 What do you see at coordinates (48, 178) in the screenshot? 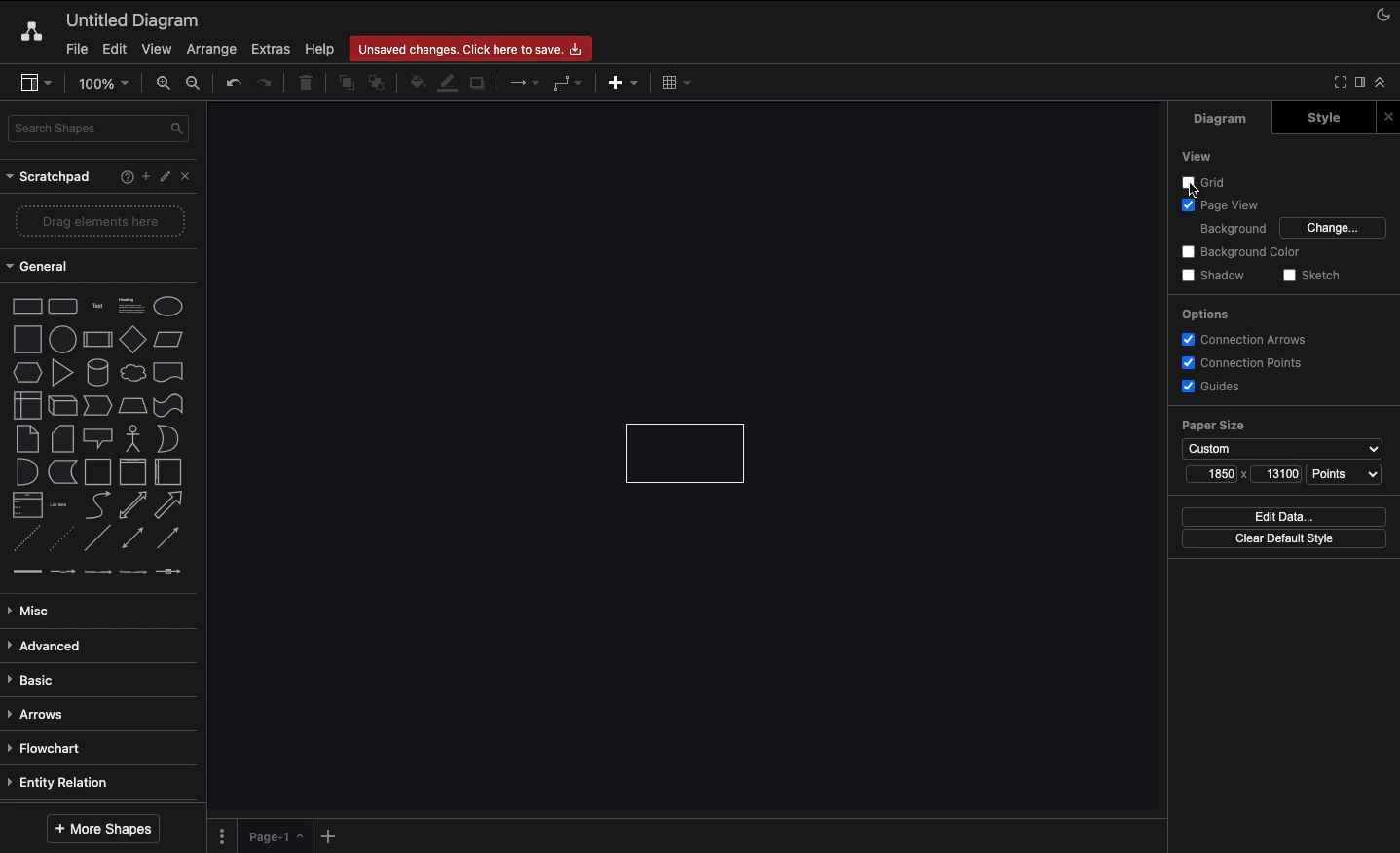
I see `Scratchpad ` at bounding box center [48, 178].